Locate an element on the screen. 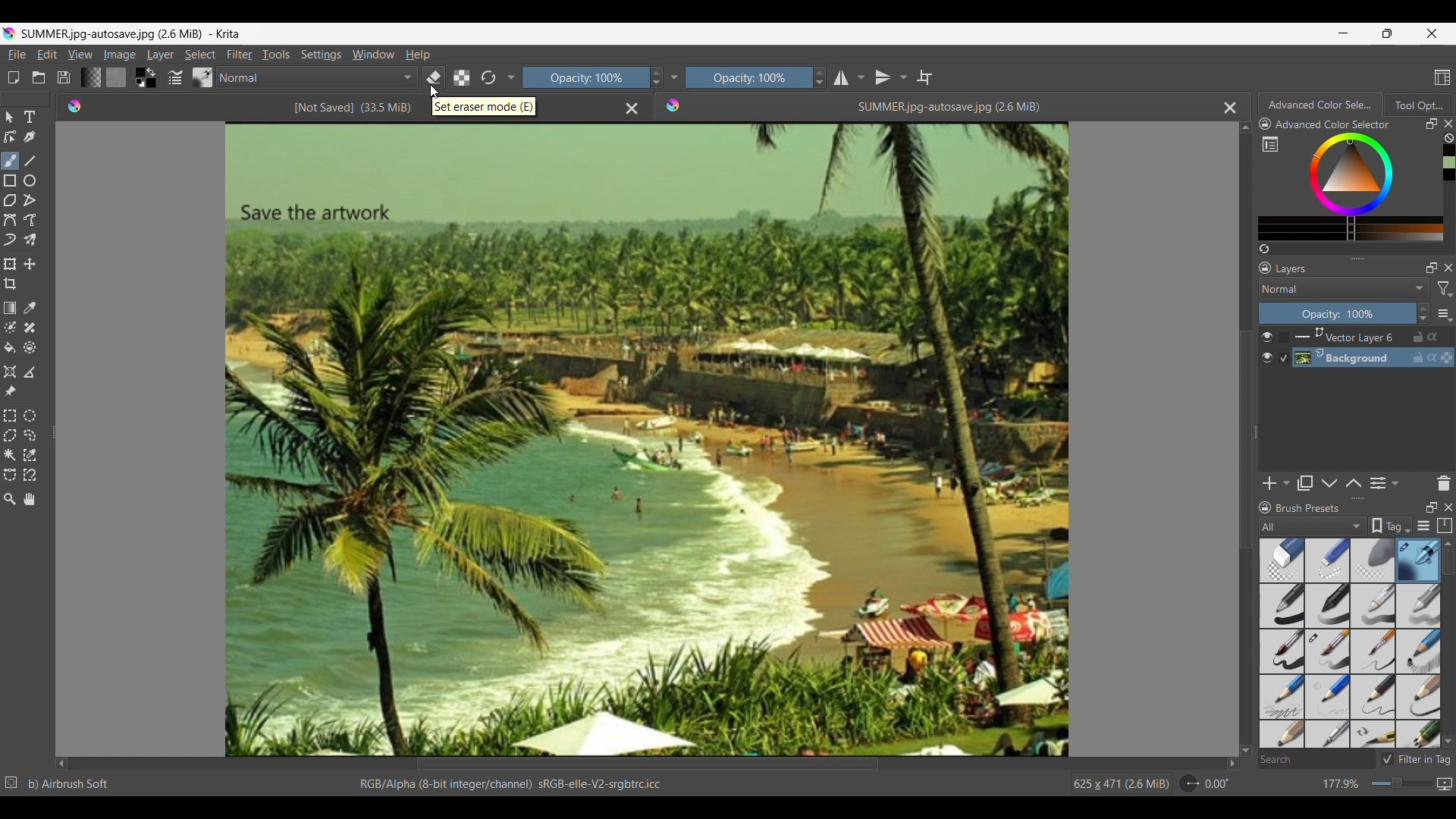  Dial to change rotation is located at coordinates (1189, 783).